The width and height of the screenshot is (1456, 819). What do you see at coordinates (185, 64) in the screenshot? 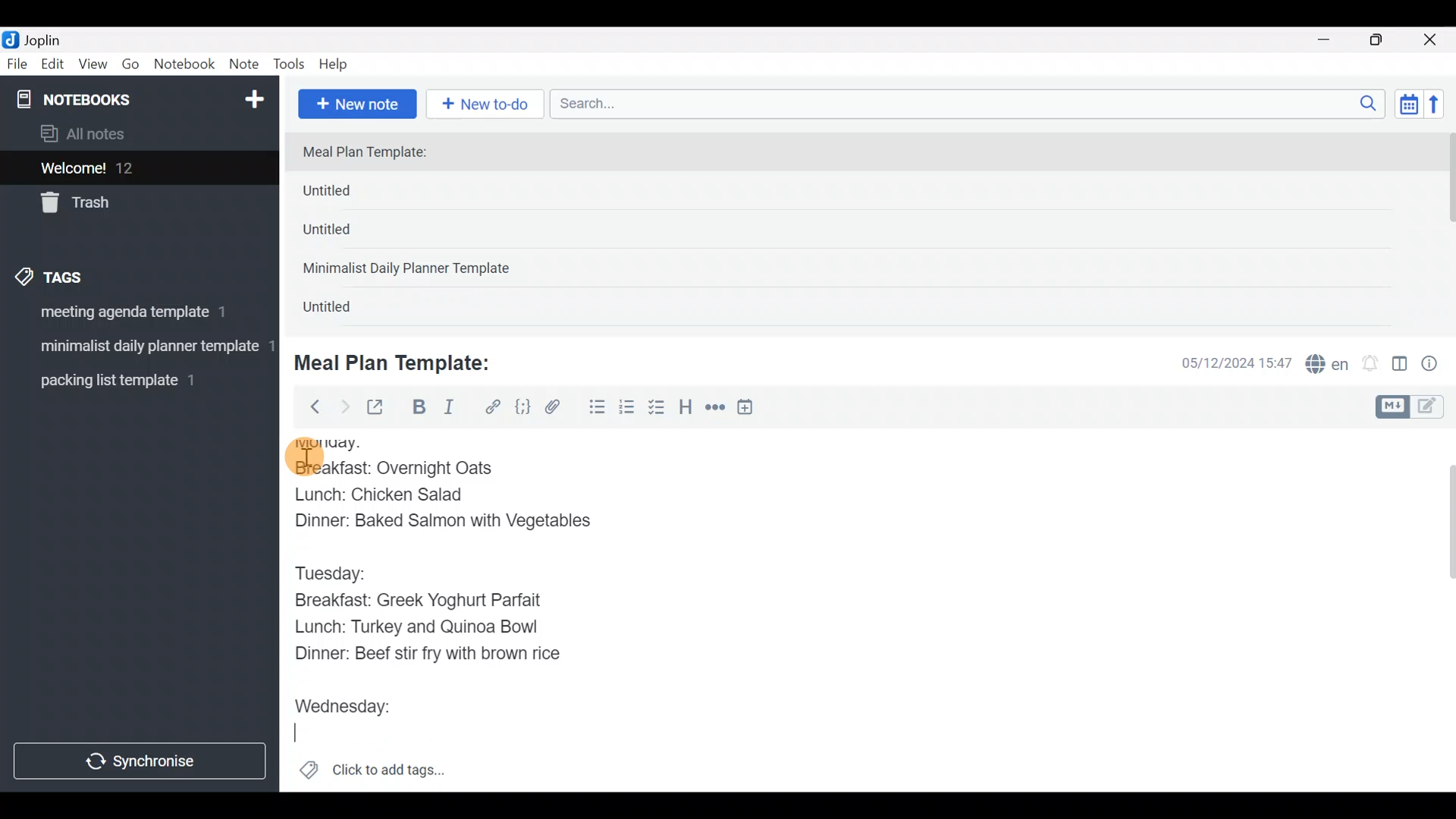
I see `Notebook` at bounding box center [185, 64].